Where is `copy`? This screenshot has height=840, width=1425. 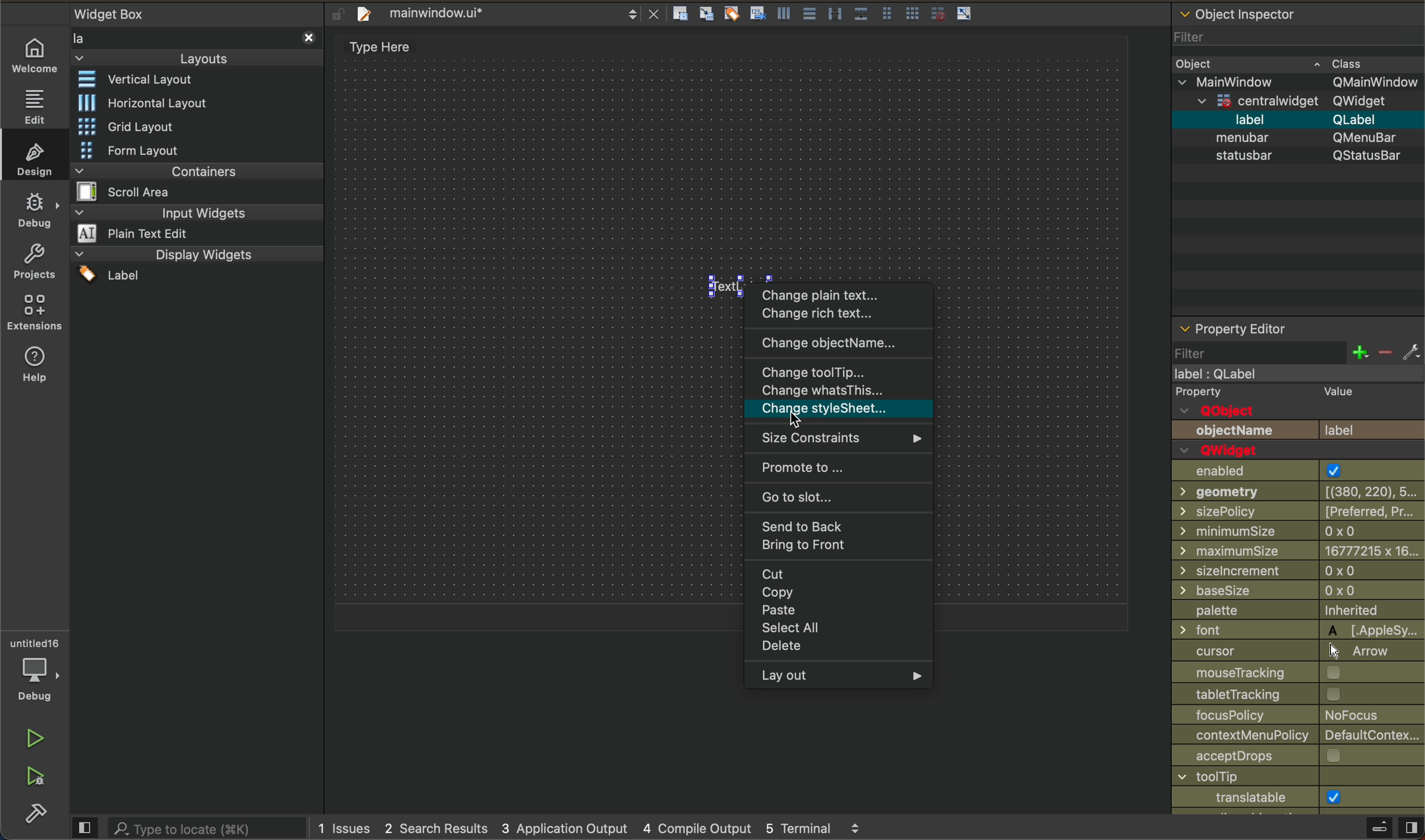 copy is located at coordinates (846, 593).